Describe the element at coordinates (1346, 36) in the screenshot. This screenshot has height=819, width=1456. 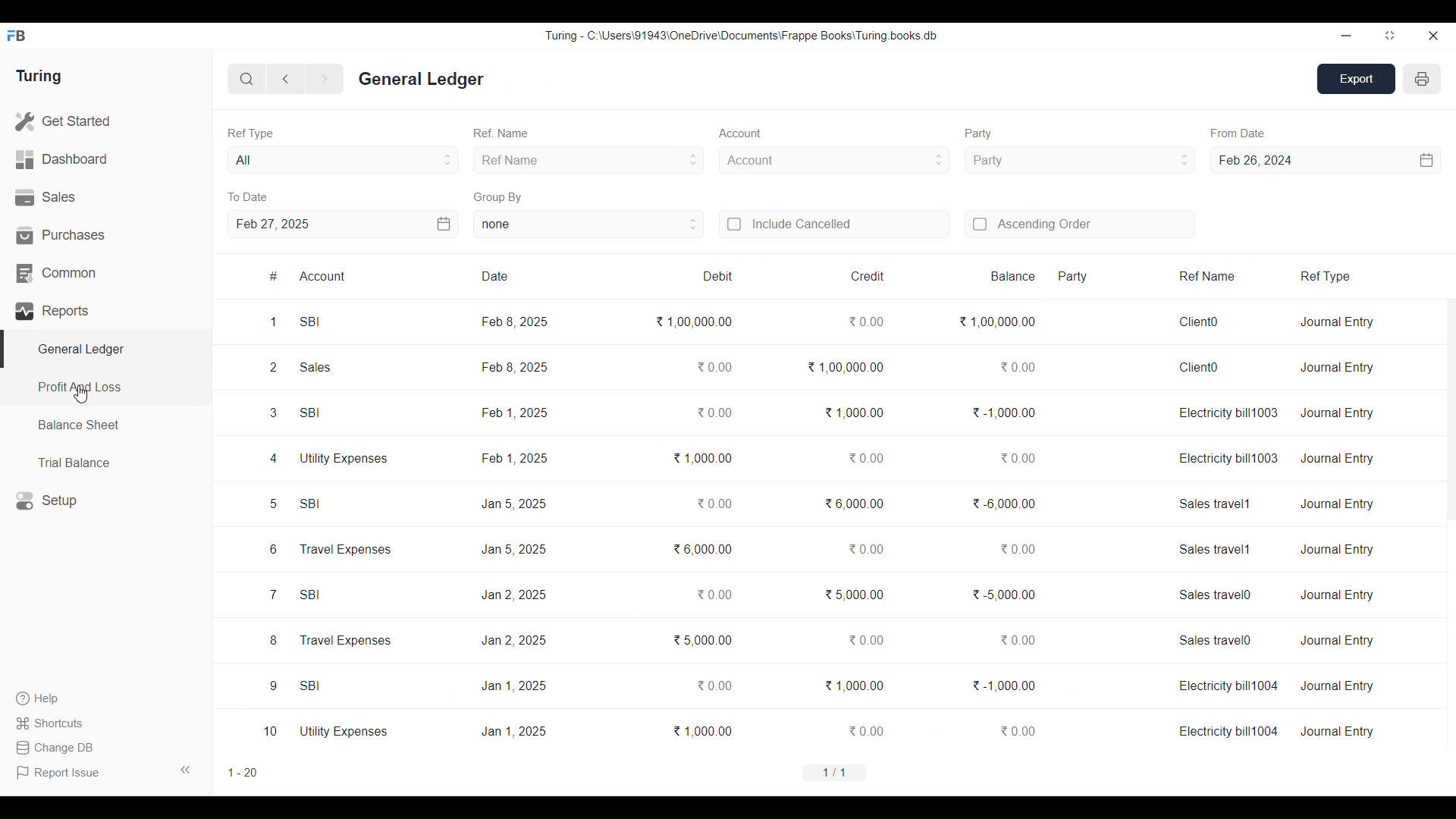
I see `Minimize` at that location.